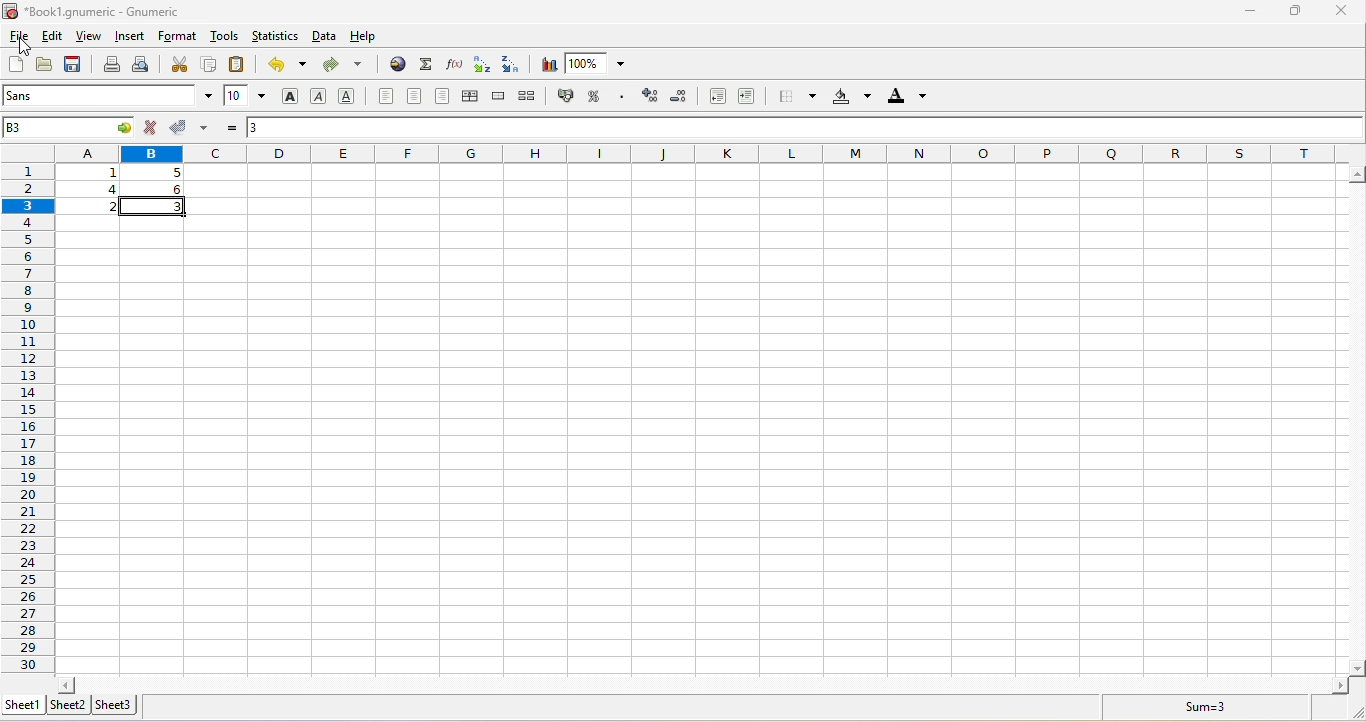 This screenshot has width=1366, height=722. I want to click on undo, so click(292, 68).